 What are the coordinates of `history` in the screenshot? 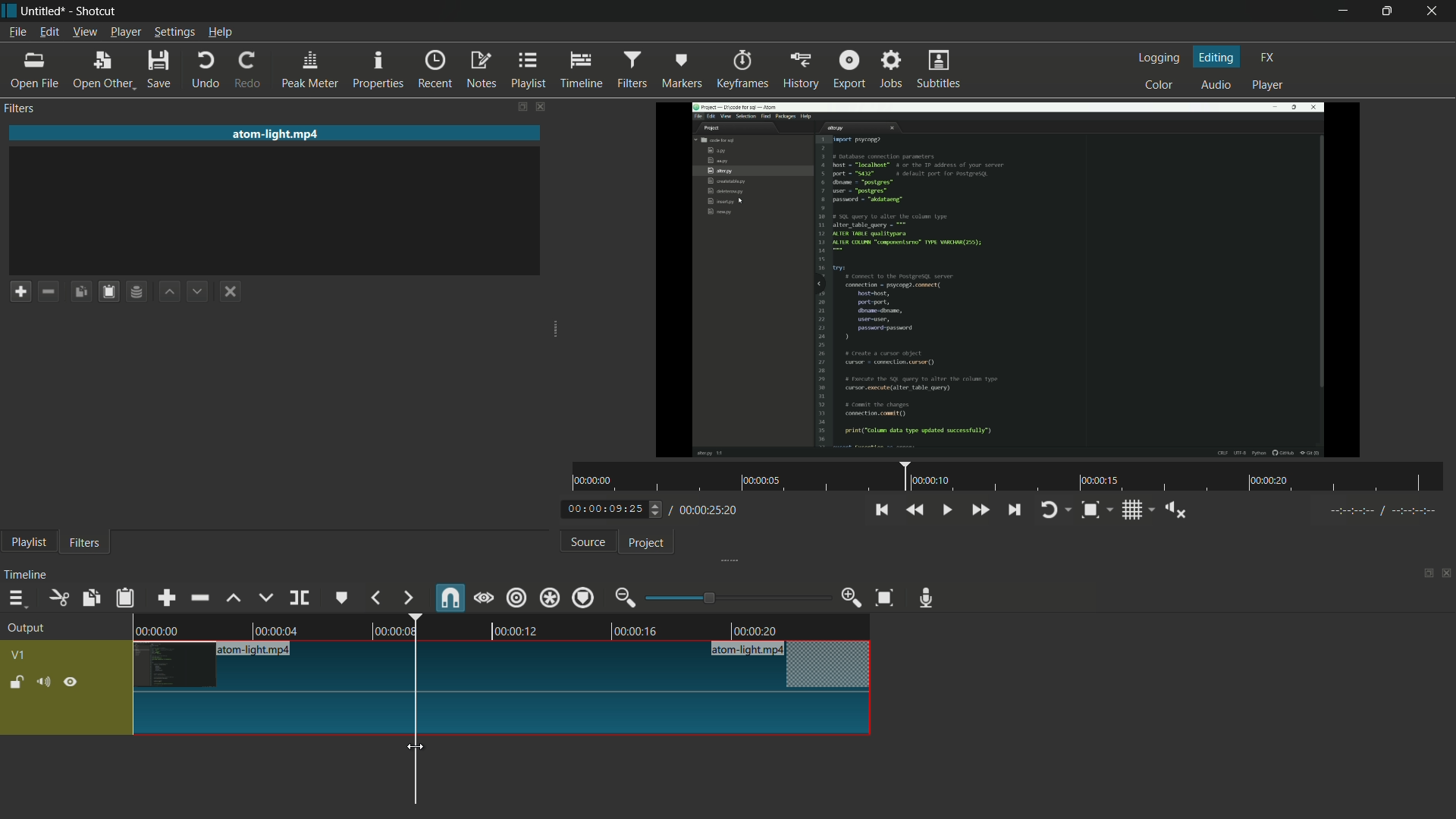 It's located at (799, 71).